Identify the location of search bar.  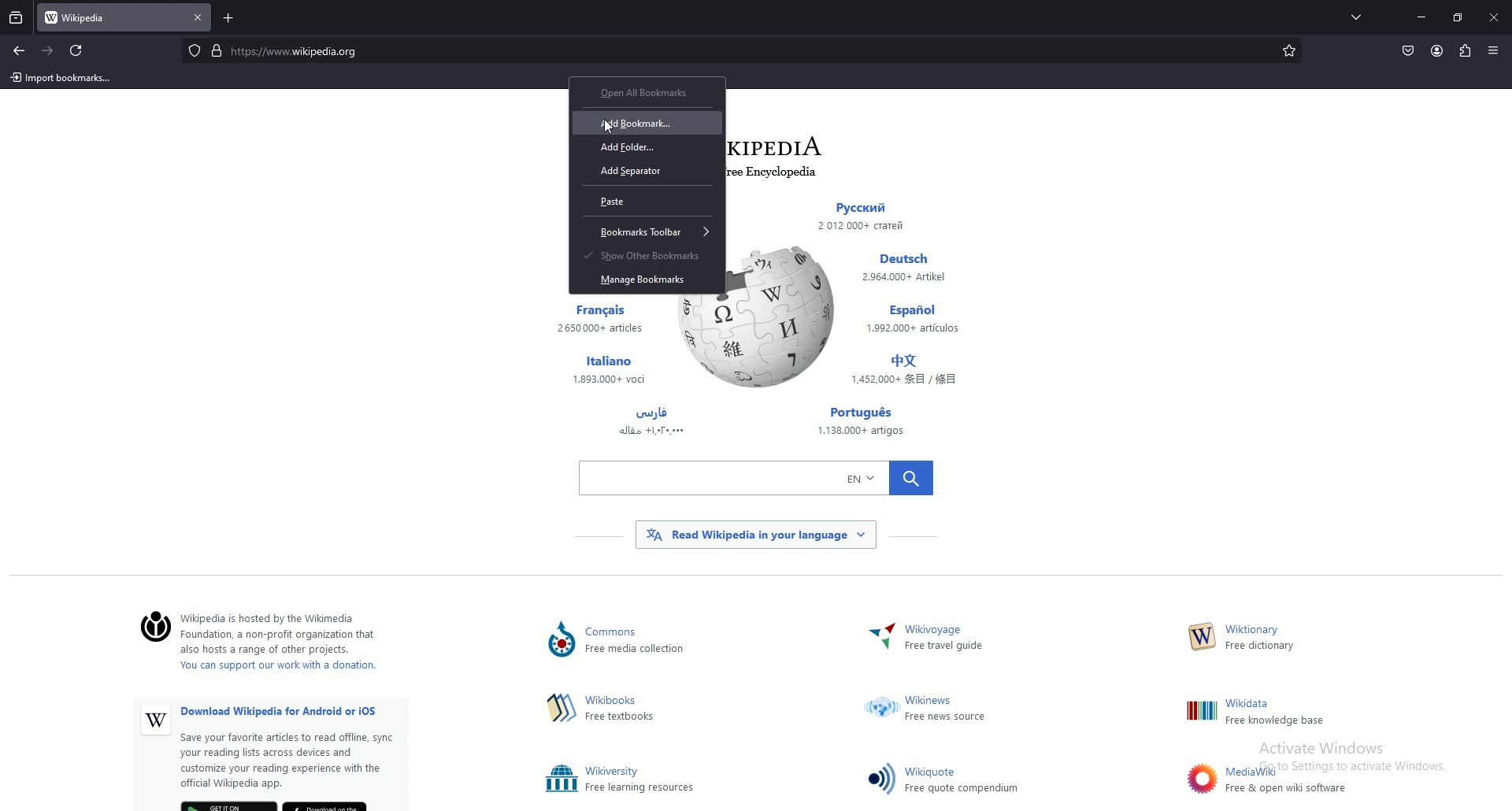
(733, 50).